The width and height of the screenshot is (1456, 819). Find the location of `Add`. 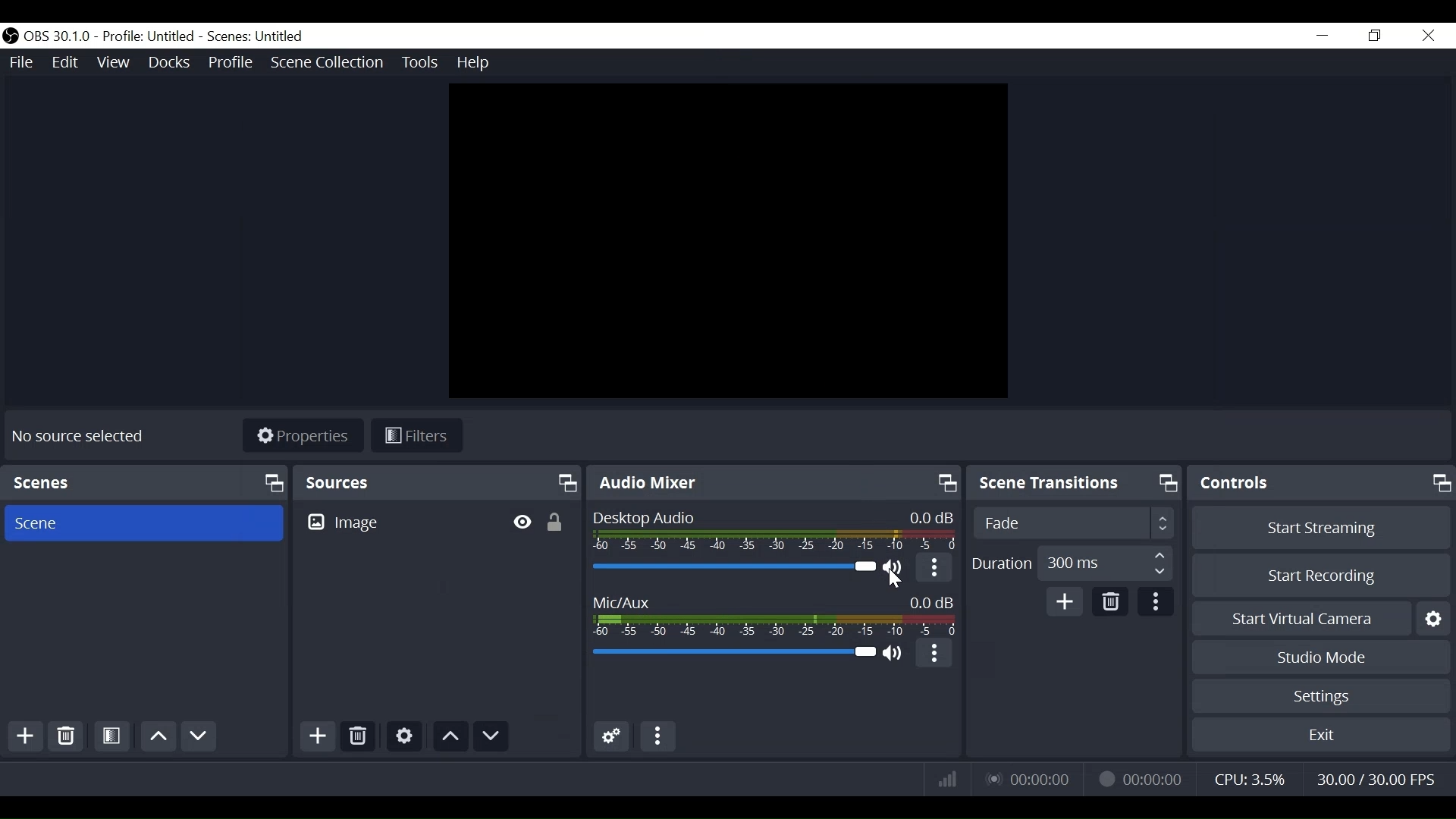

Add is located at coordinates (27, 736).